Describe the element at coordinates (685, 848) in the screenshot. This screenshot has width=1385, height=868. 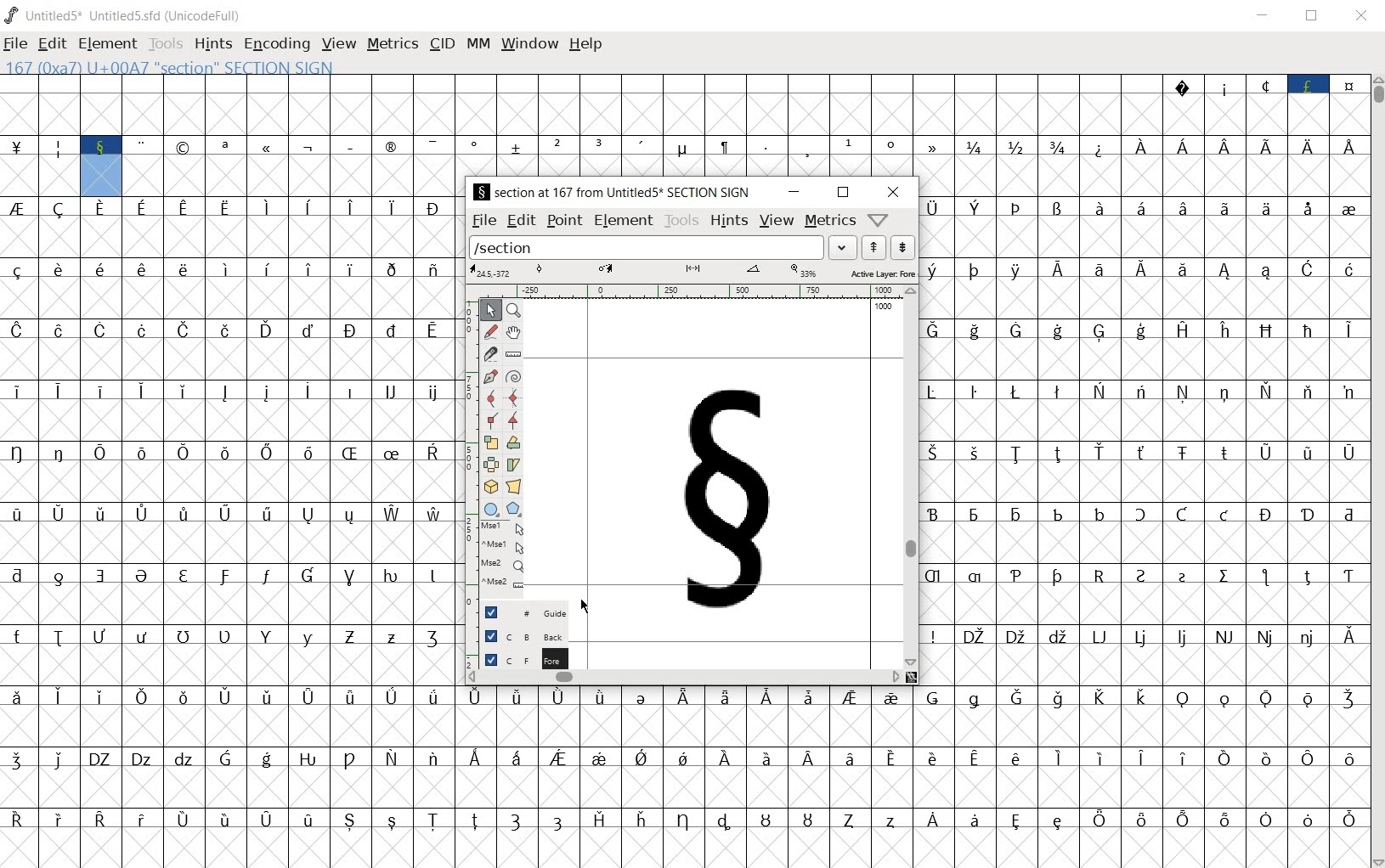
I see `empty cells` at that location.